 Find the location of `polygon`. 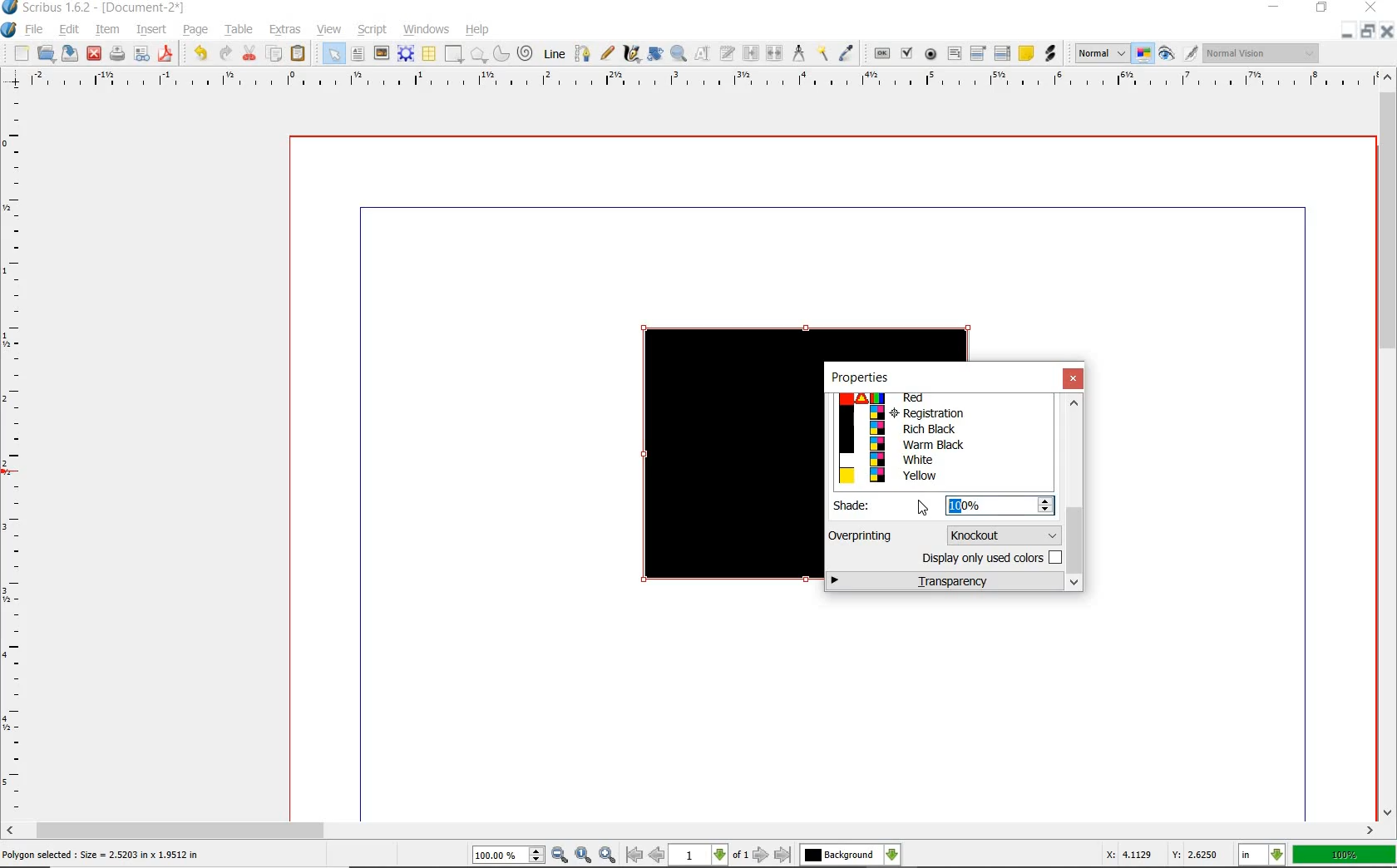

polygon is located at coordinates (478, 53).